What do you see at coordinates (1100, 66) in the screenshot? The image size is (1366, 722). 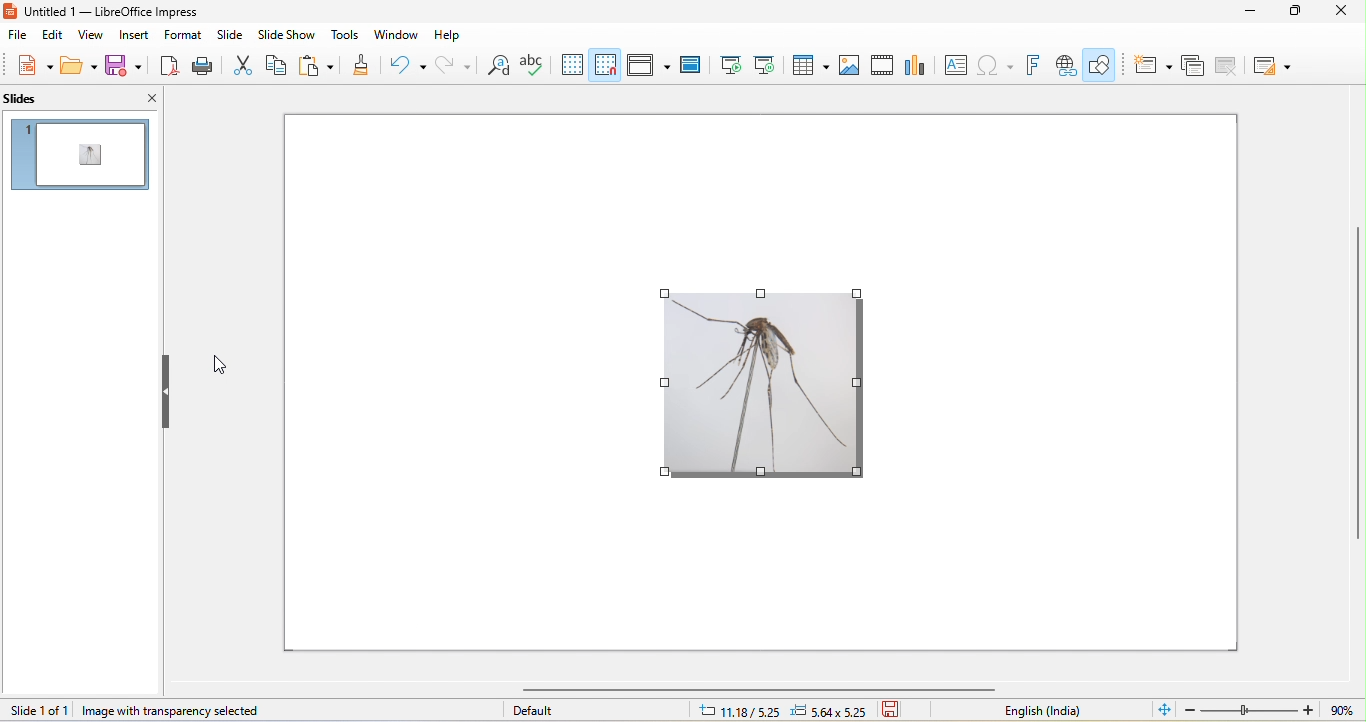 I see `show draw functions` at bounding box center [1100, 66].